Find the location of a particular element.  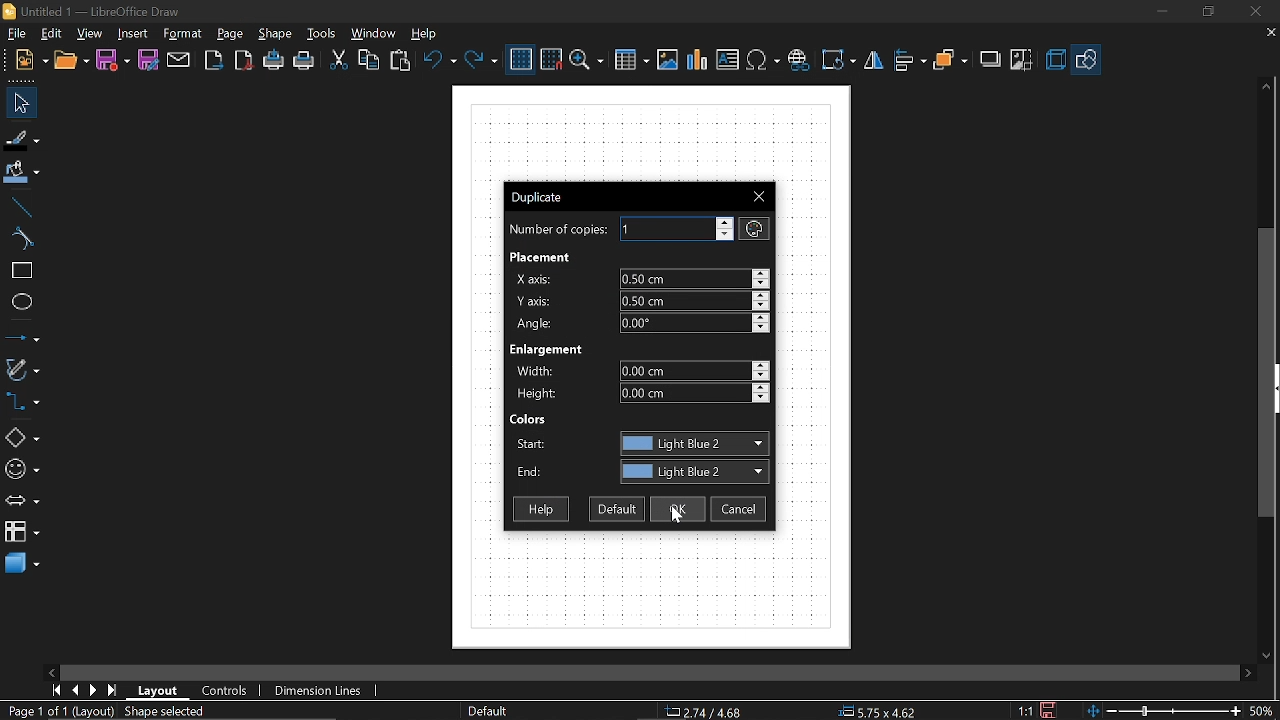

CLose is located at coordinates (761, 195).